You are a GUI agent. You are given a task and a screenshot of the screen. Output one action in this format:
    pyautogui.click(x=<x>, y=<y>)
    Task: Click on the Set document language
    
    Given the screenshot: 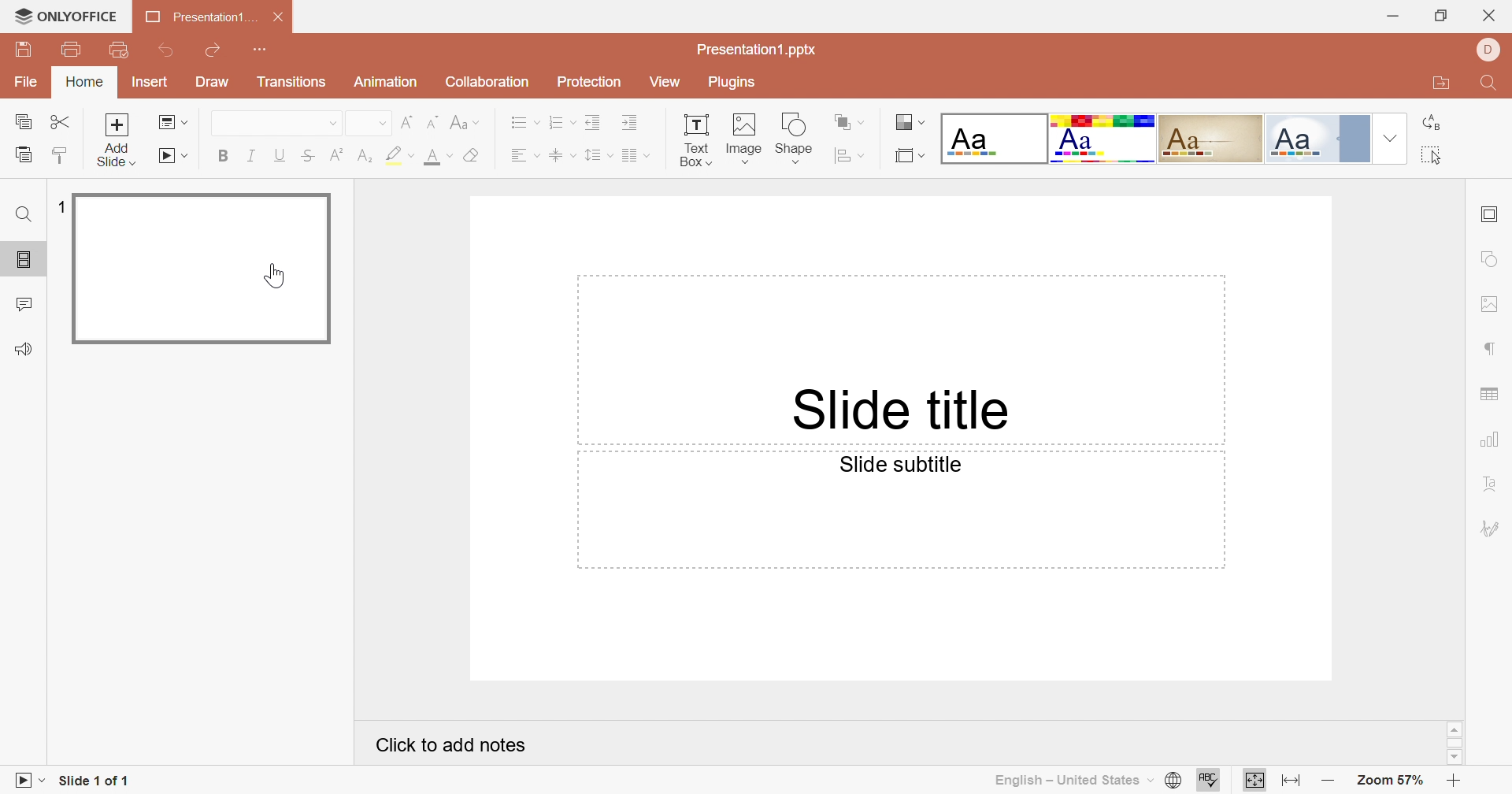 What is the action you would take?
    pyautogui.click(x=1175, y=781)
    